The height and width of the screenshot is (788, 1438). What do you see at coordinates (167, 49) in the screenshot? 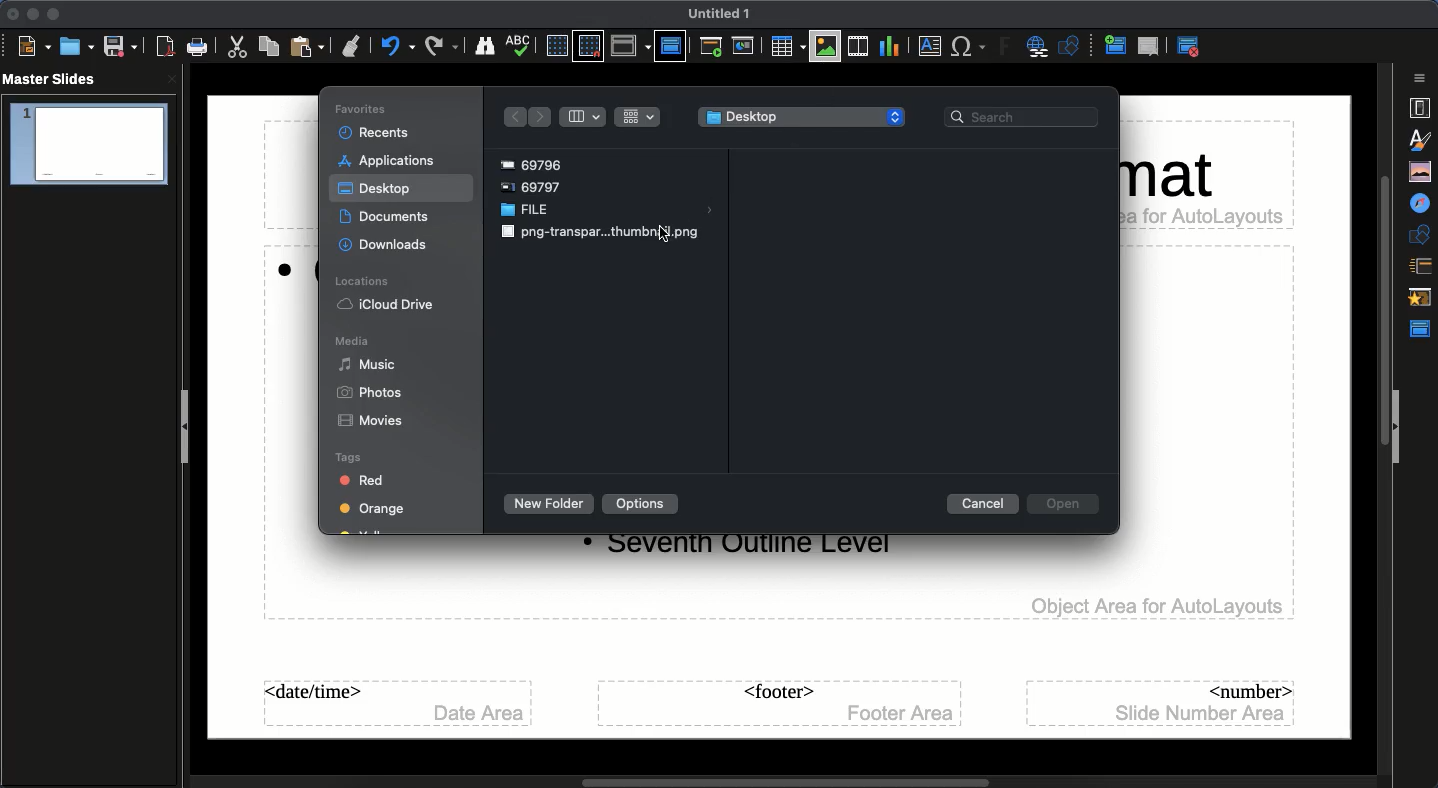
I see `Save as PDF` at bounding box center [167, 49].